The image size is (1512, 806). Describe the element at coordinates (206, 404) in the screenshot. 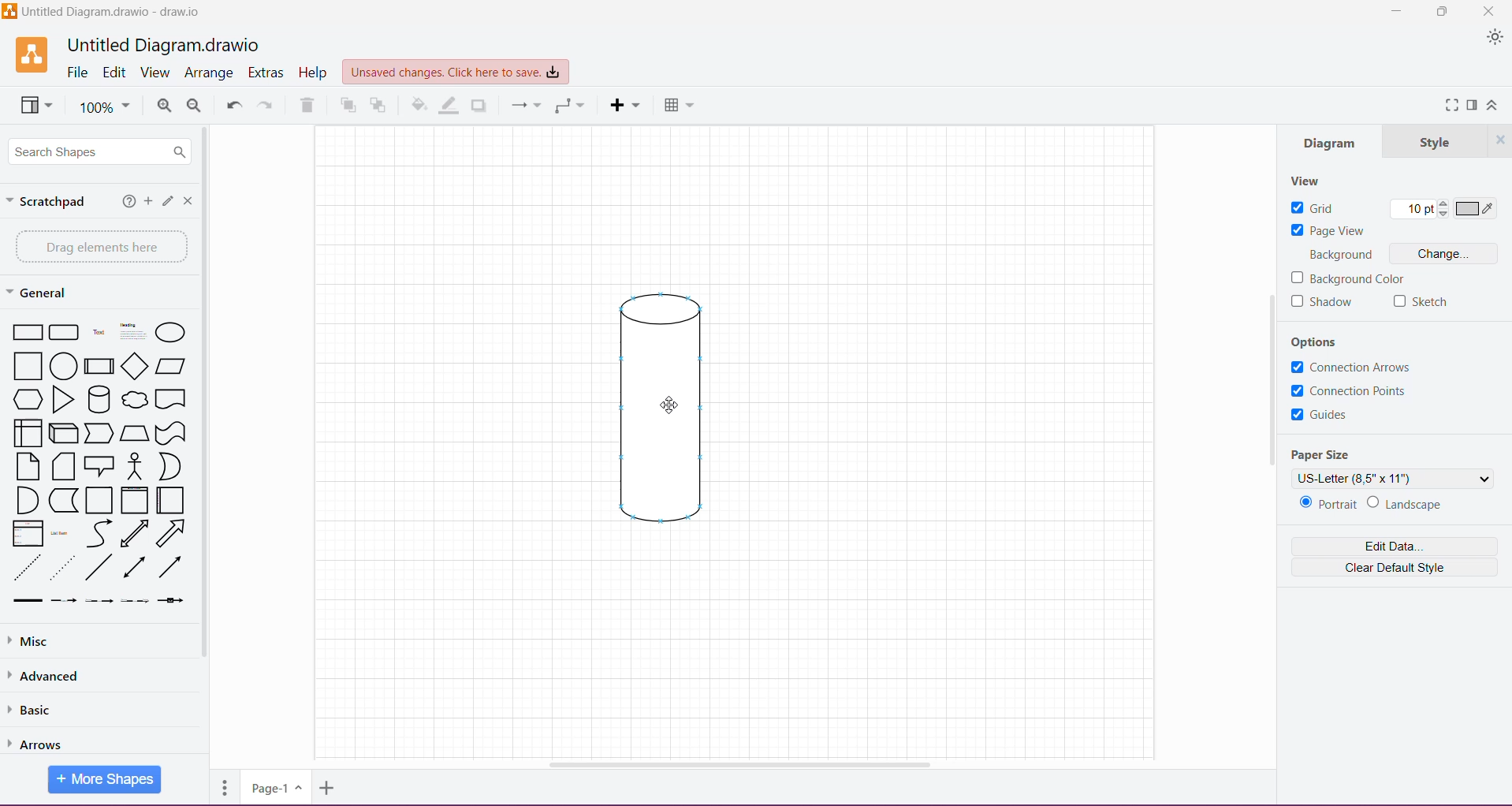

I see `Vertical Scroll Bar` at that location.